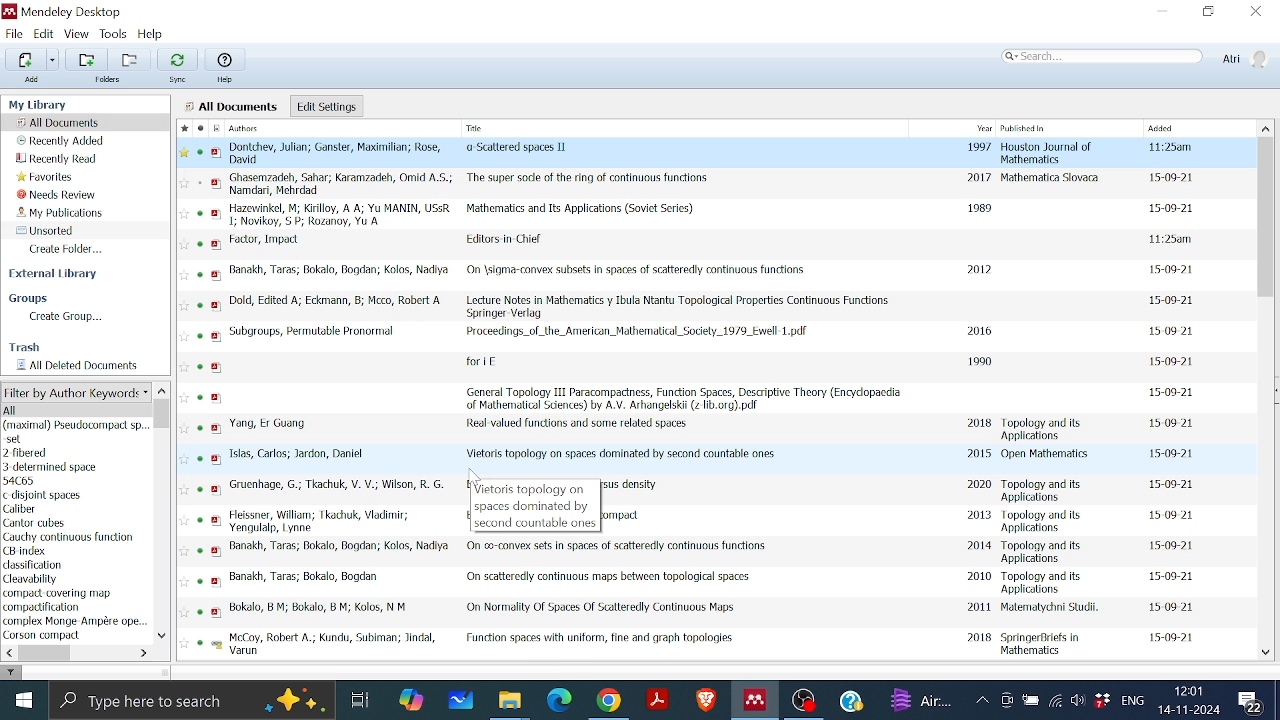 Image resolution: width=1280 pixels, height=720 pixels. Describe the element at coordinates (605, 607) in the screenshot. I see `Title` at that location.